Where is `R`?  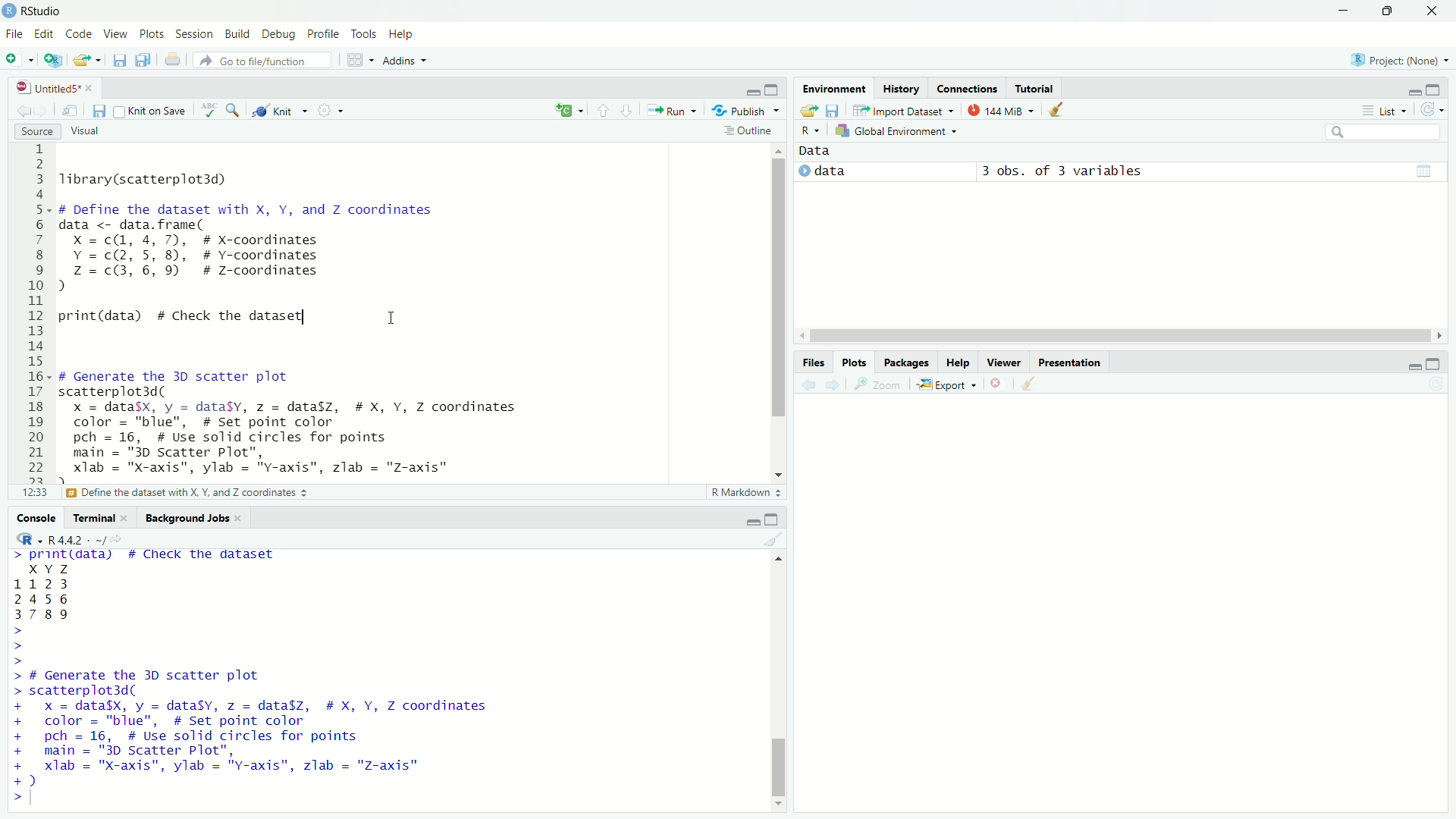 R is located at coordinates (27, 538).